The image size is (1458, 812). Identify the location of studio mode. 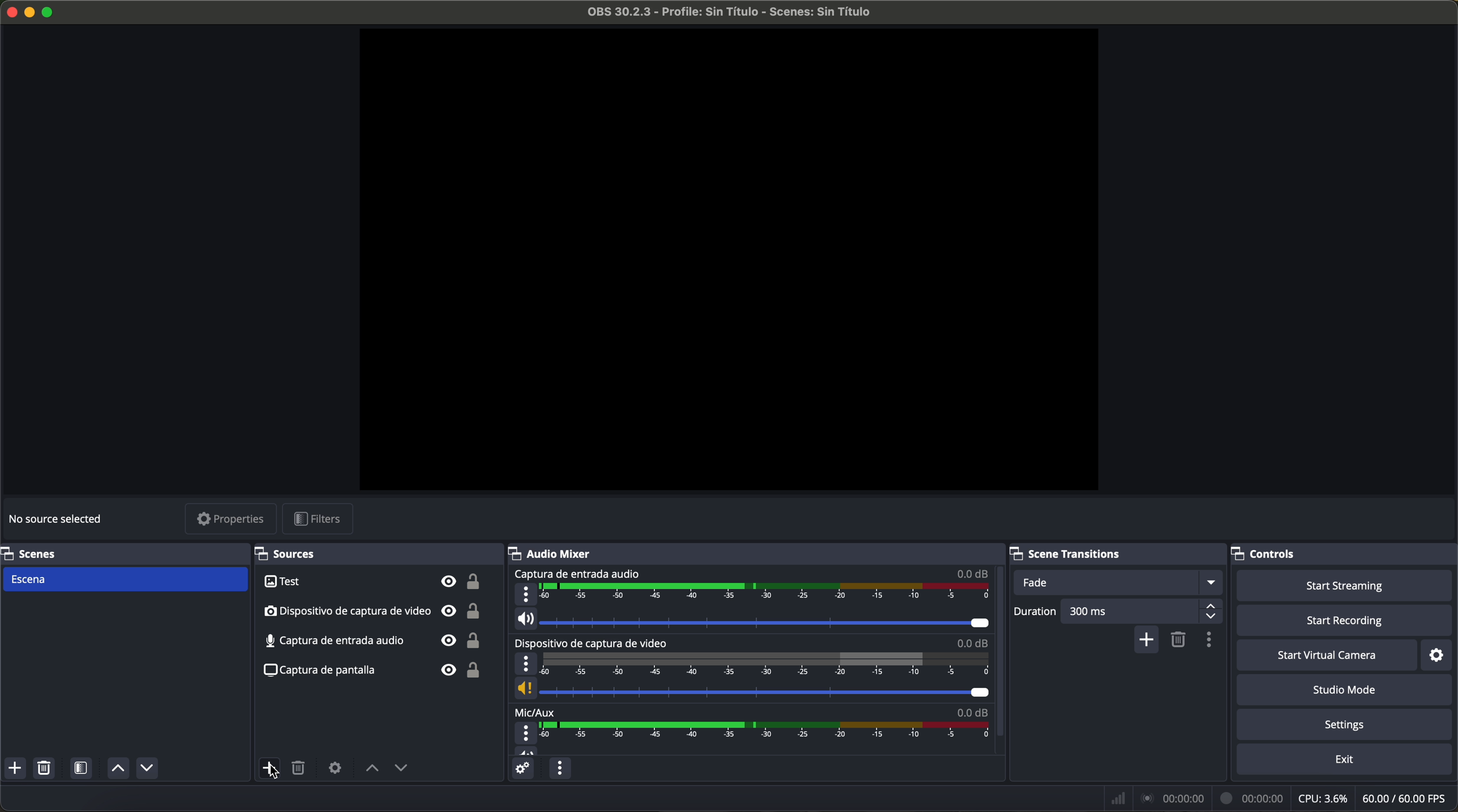
(1347, 691).